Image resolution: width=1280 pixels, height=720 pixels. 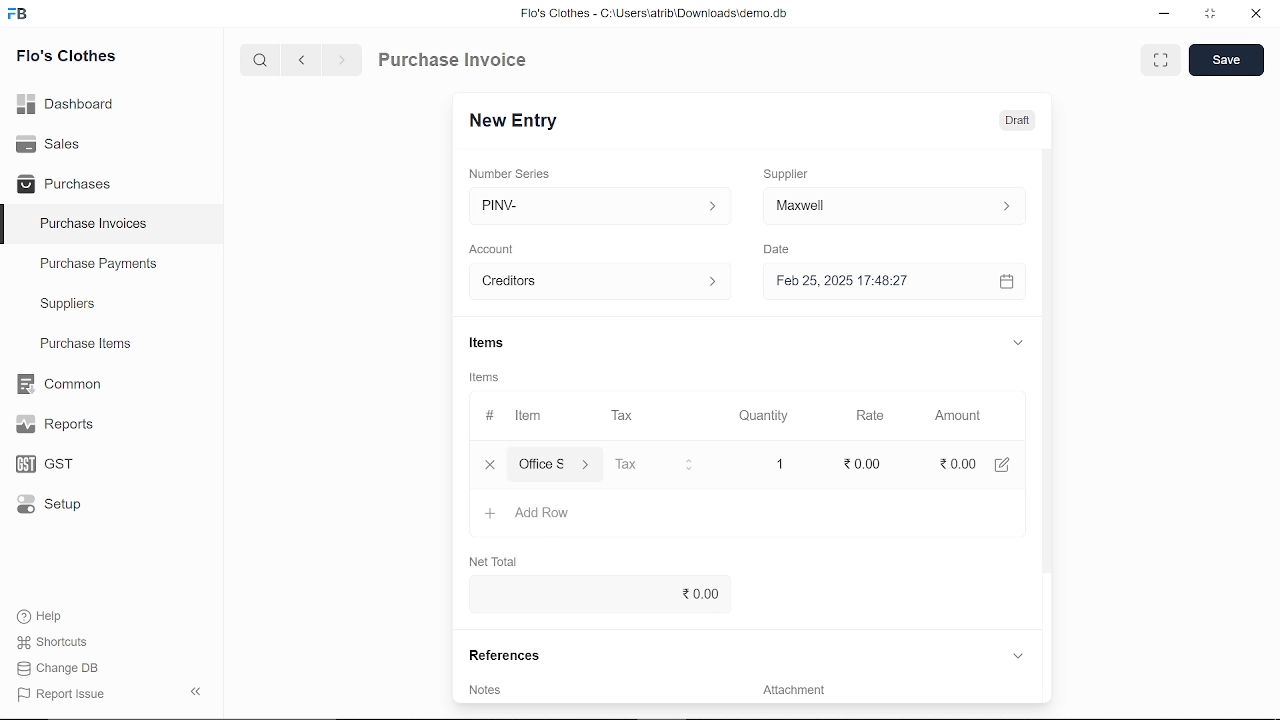 I want to click on creditors, so click(x=596, y=280).